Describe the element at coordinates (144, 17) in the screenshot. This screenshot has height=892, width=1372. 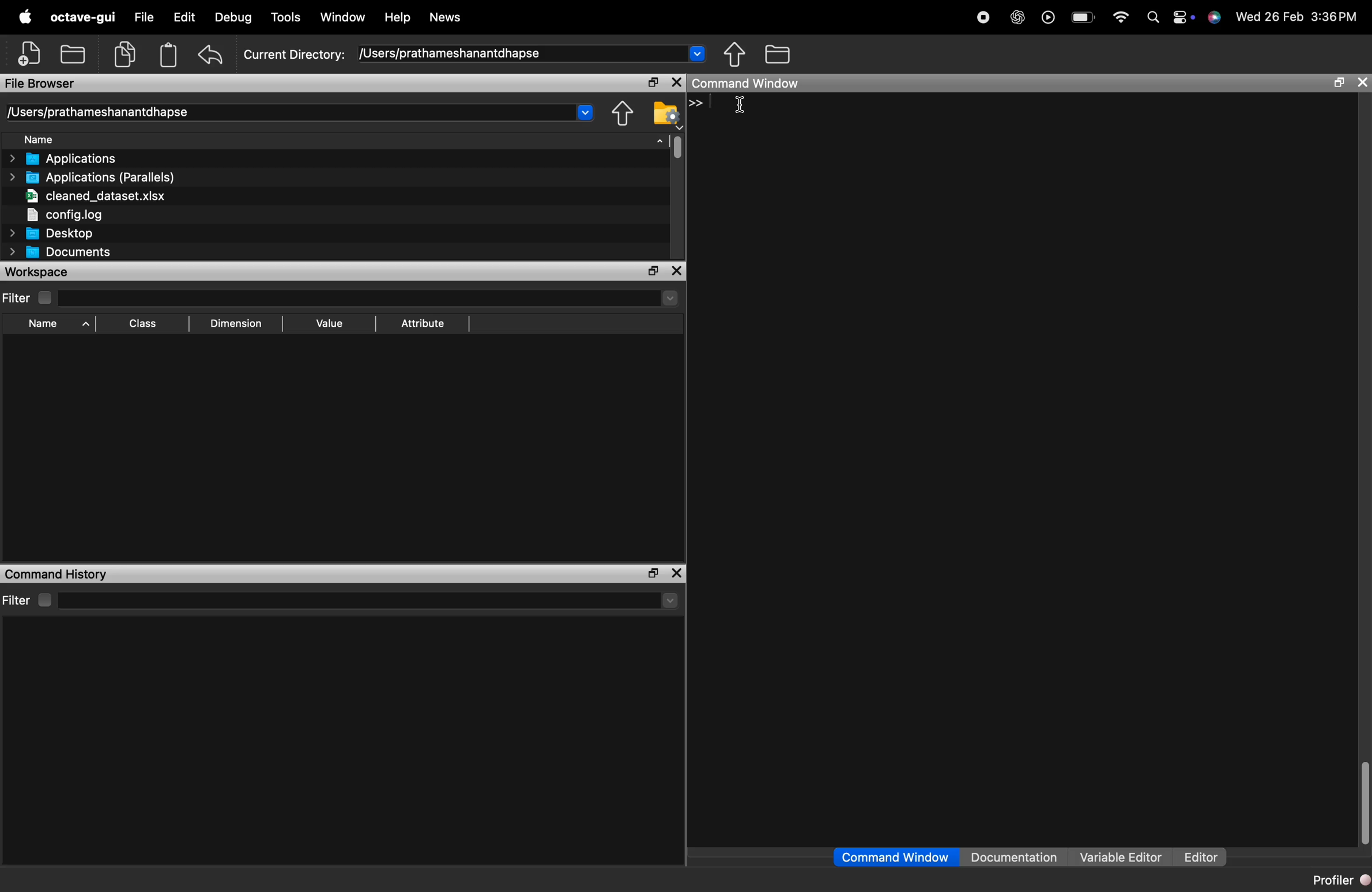
I see `File` at that location.